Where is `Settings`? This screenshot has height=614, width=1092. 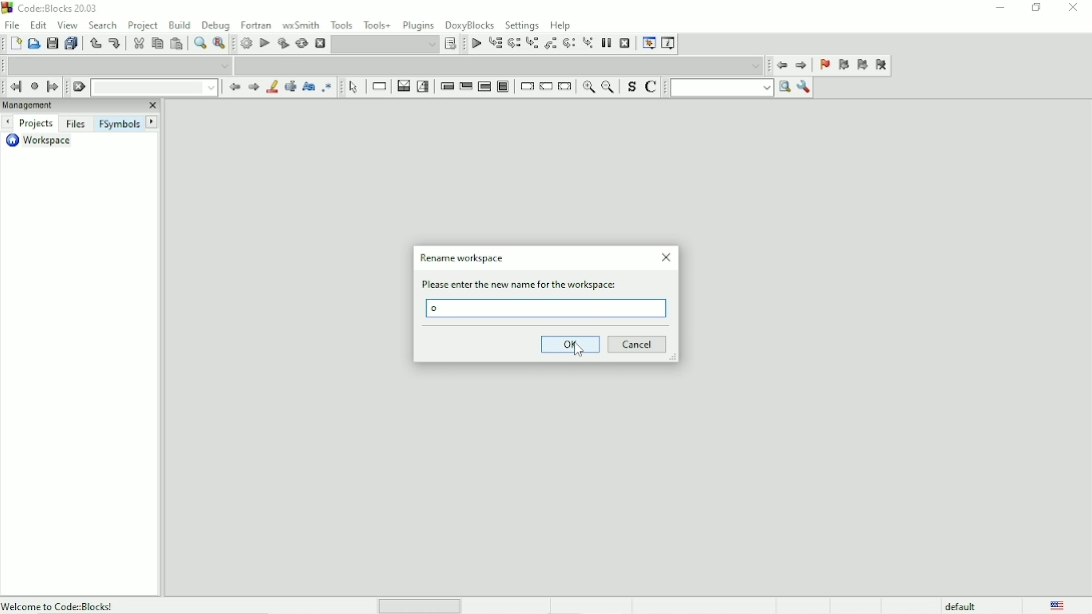
Settings is located at coordinates (522, 25).